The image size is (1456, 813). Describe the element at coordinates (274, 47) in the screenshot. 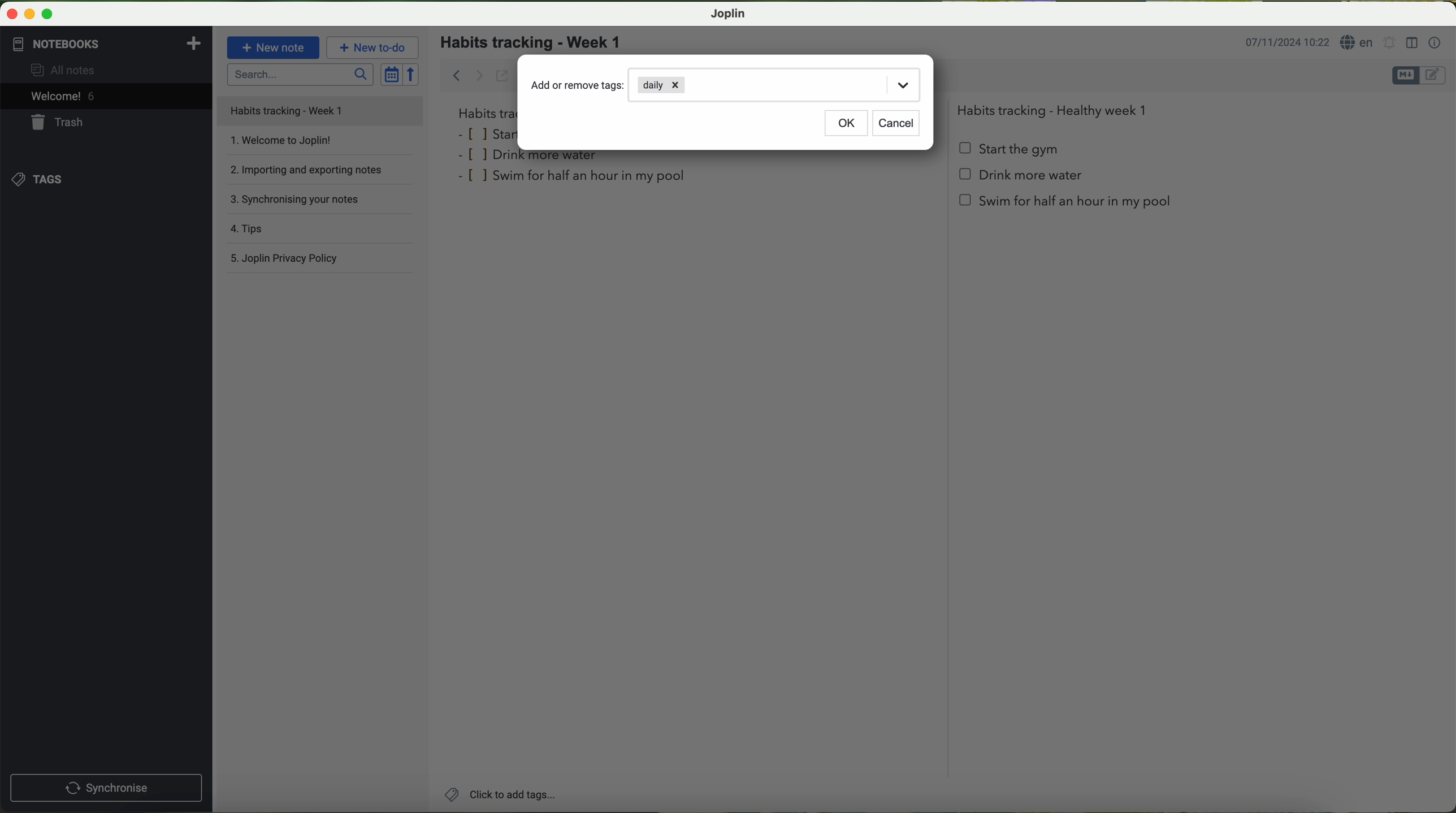

I see `new note button` at that location.